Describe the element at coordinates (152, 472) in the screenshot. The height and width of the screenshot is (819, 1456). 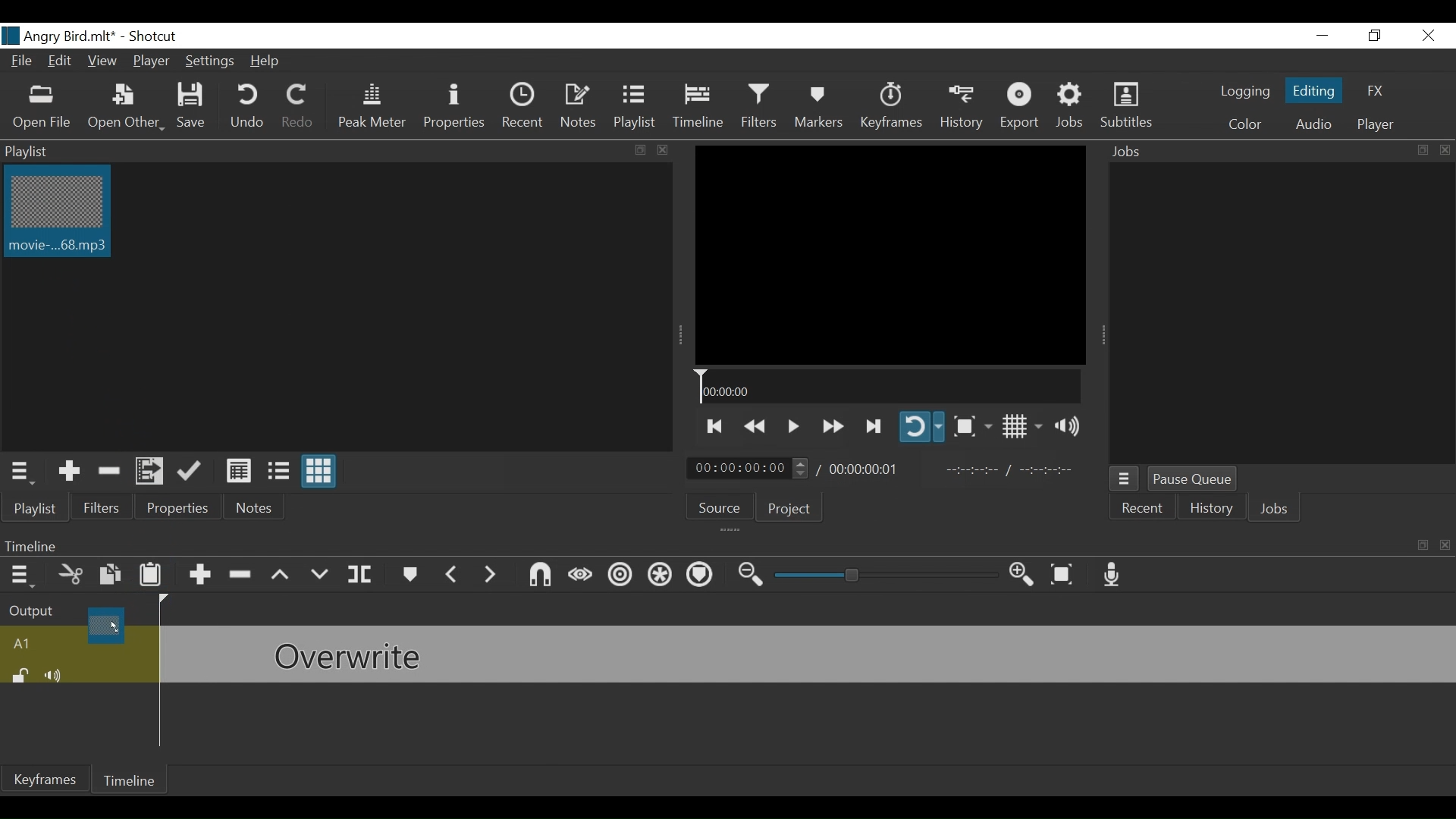
I see `Add file to the playlist` at that location.